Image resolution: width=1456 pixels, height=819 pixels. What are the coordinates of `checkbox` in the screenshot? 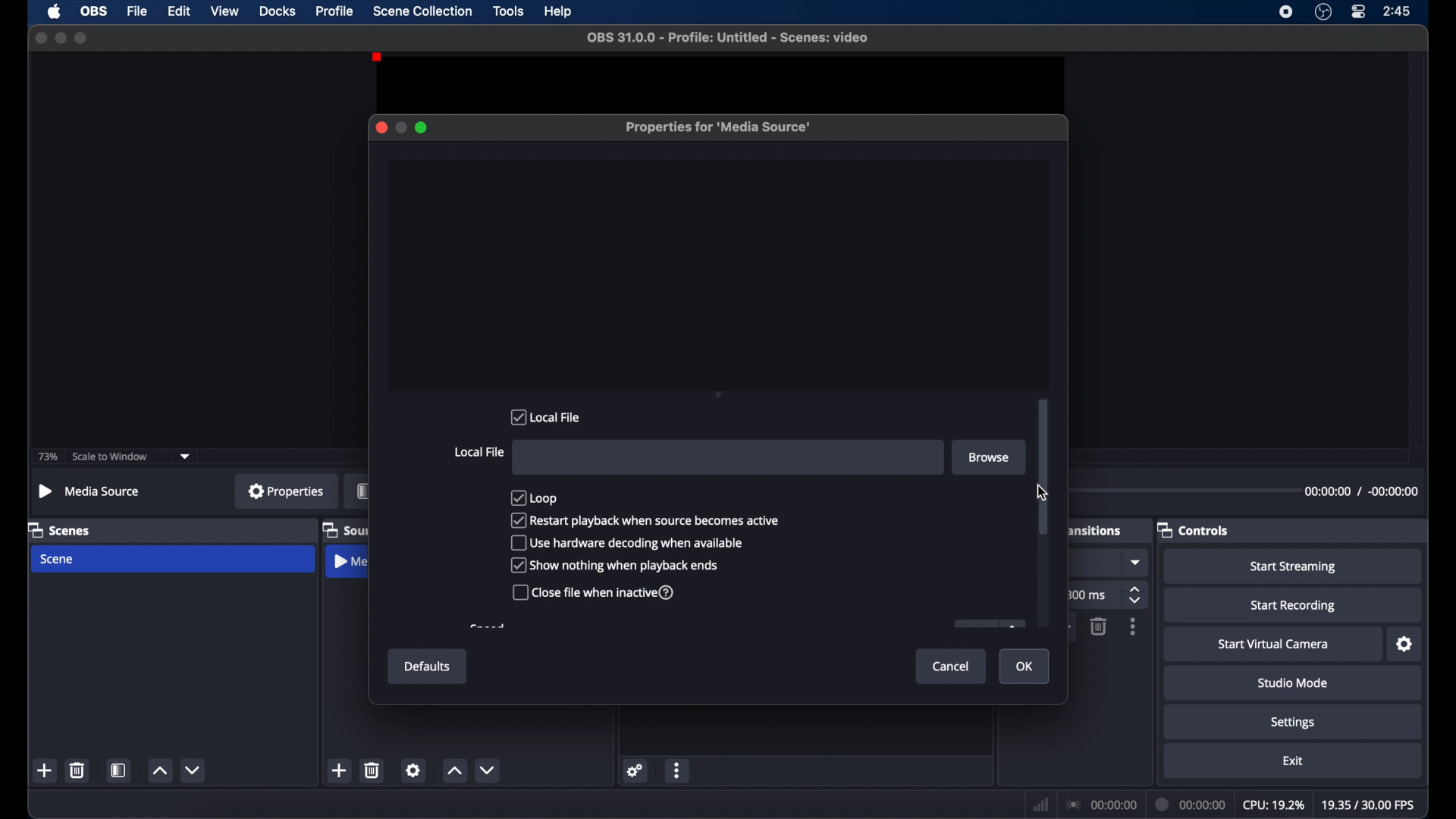 It's located at (535, 497).